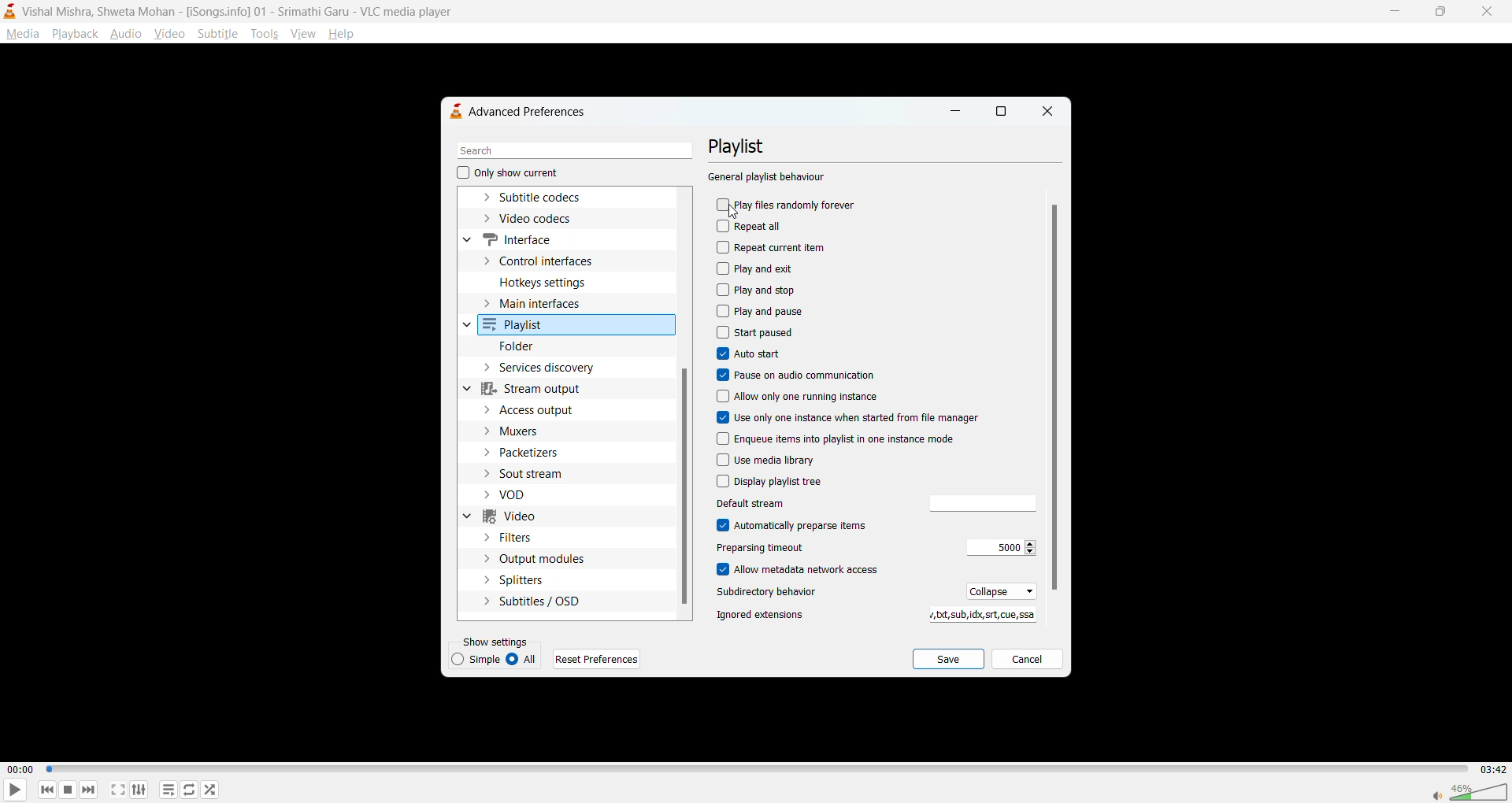 This screenshot has width=1512, height=803. I want to click on splitters, so click(514, 580).